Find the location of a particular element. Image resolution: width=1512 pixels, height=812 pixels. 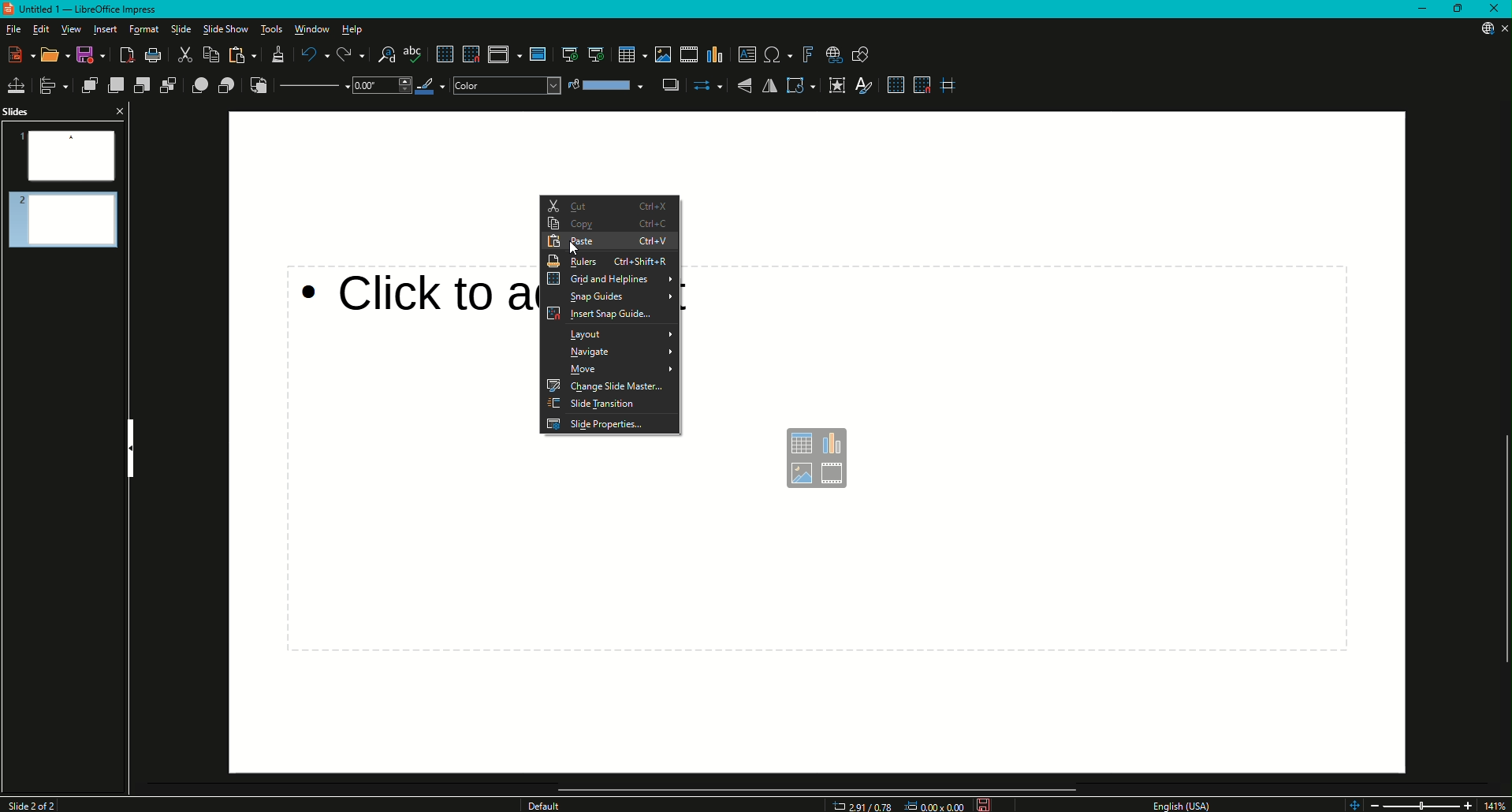

Close Presentation is located at coordinates (1501, 28).